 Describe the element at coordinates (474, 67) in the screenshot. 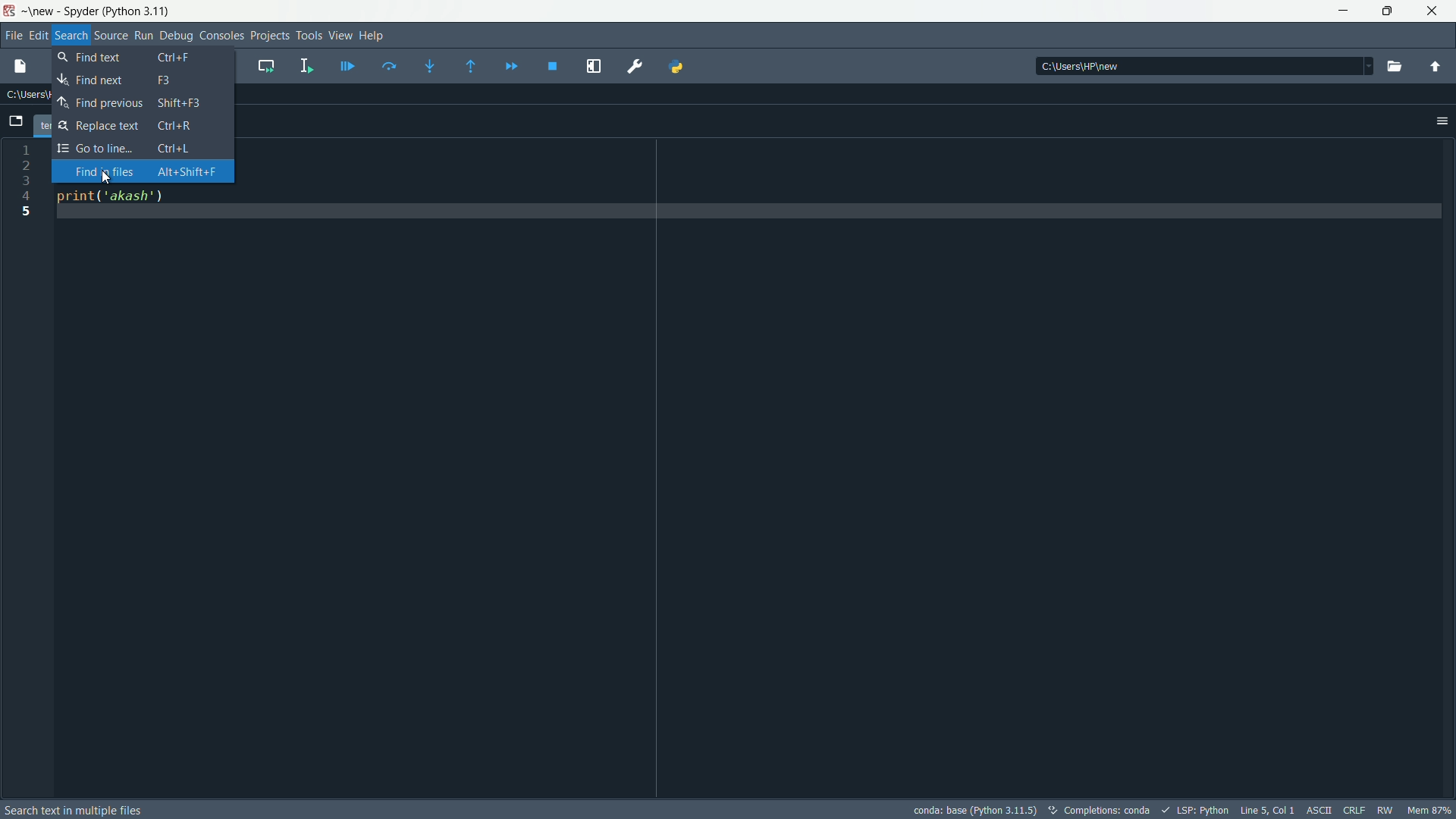

I see `run until current function` at that location.